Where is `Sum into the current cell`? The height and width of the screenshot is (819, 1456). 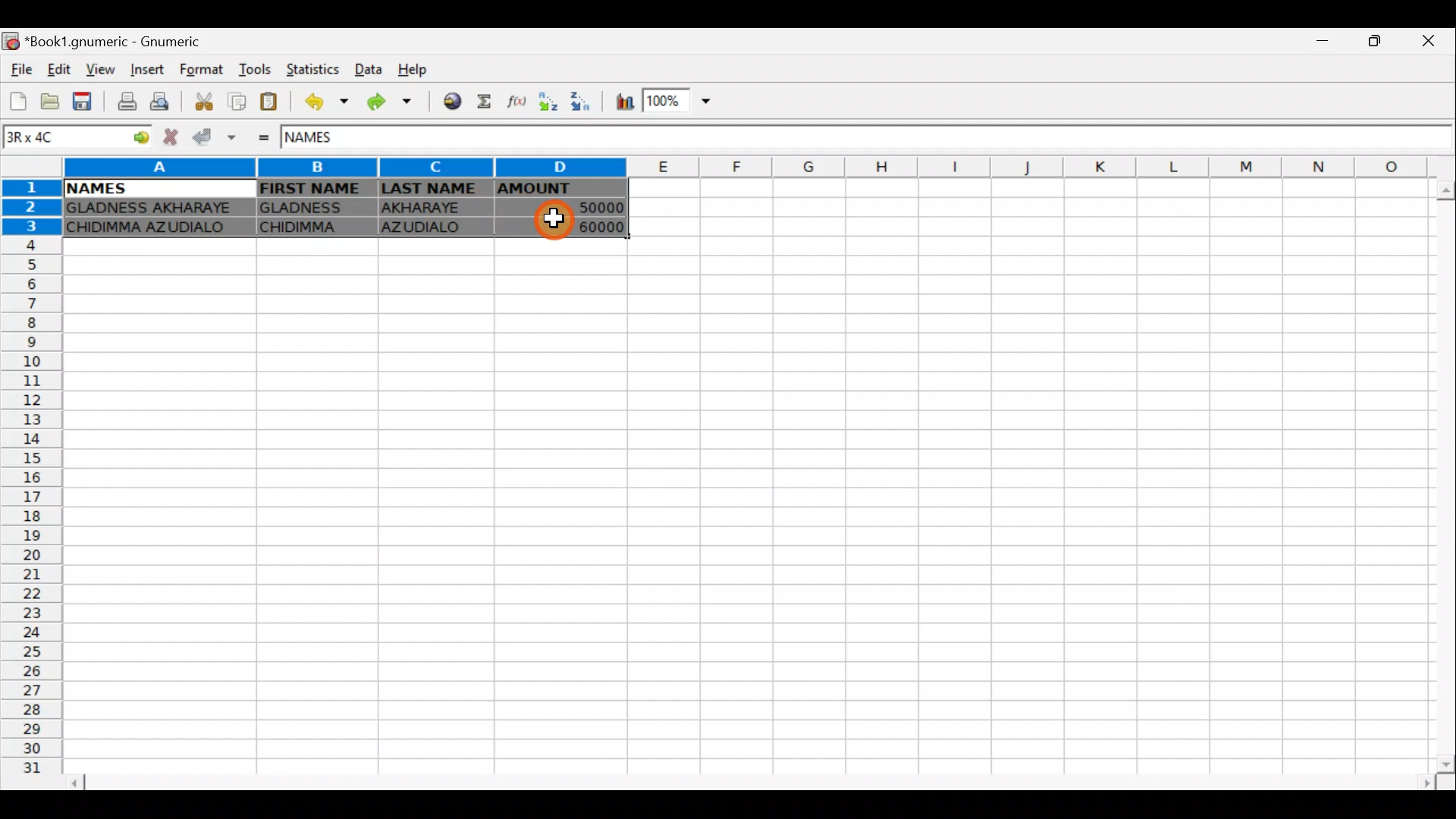
Sum into the current cell is located at coordinates (486, 102).